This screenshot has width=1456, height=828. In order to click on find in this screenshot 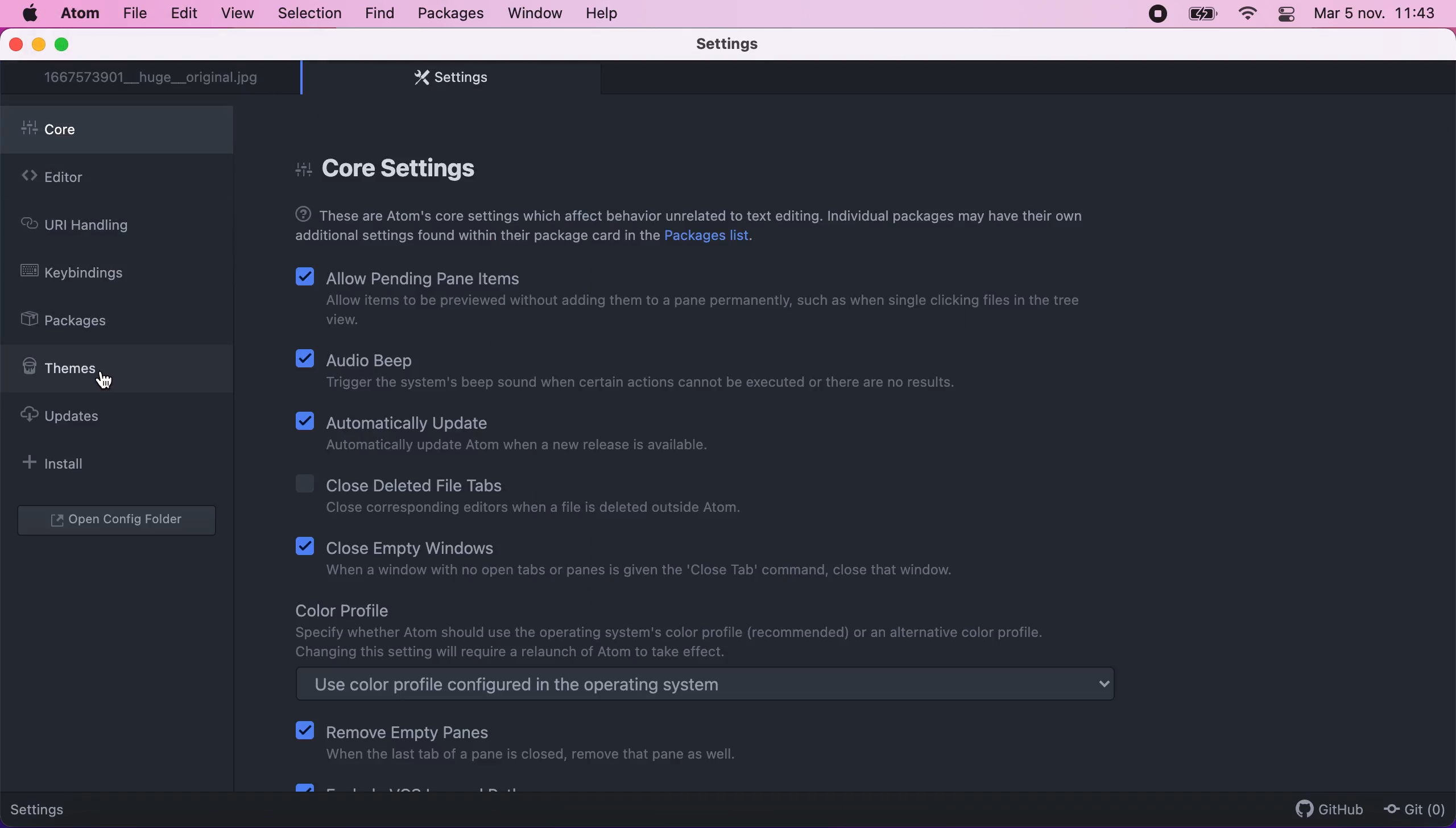, I will do `click(377, 13)`.